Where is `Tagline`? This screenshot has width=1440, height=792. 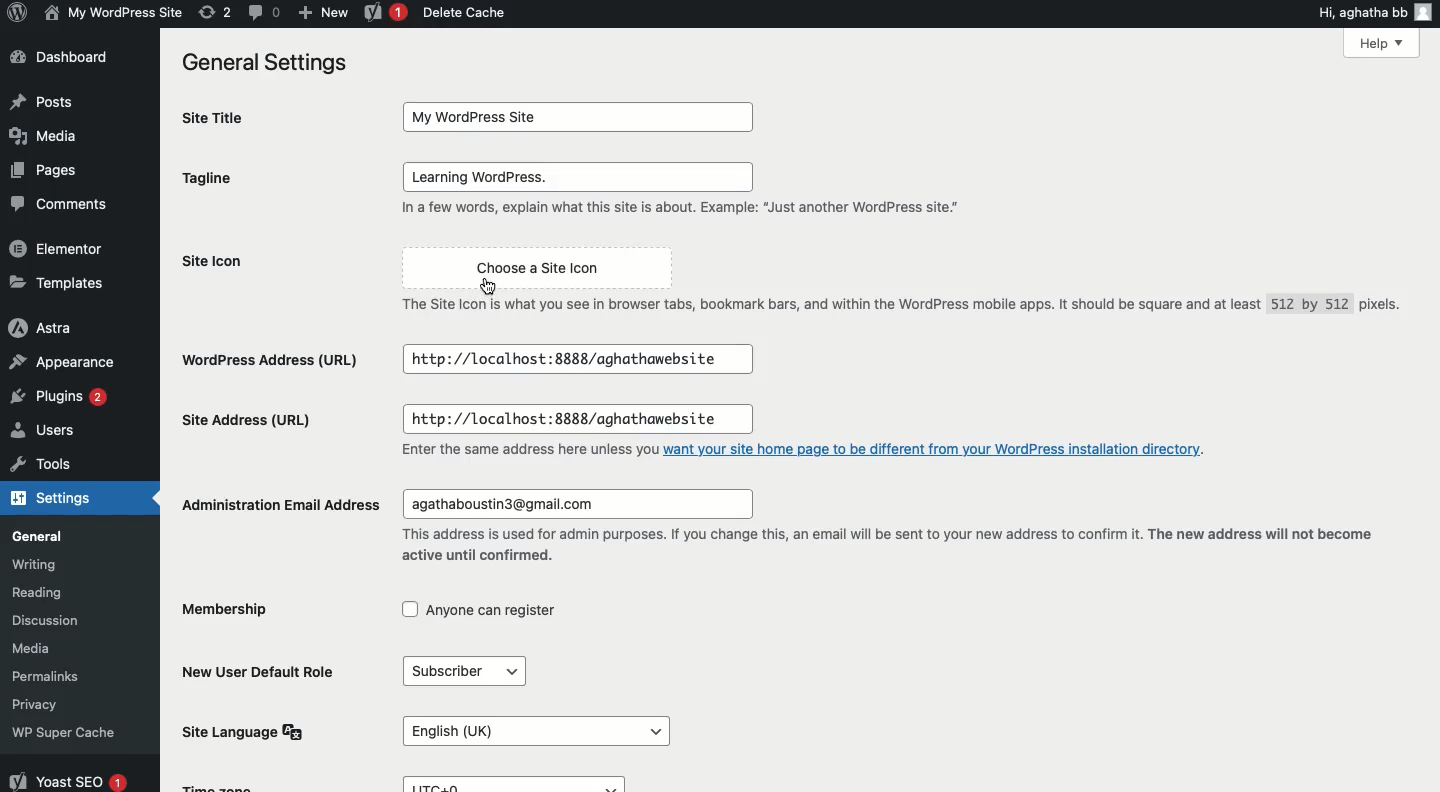 Tagline is located at coordinates (224, 179).